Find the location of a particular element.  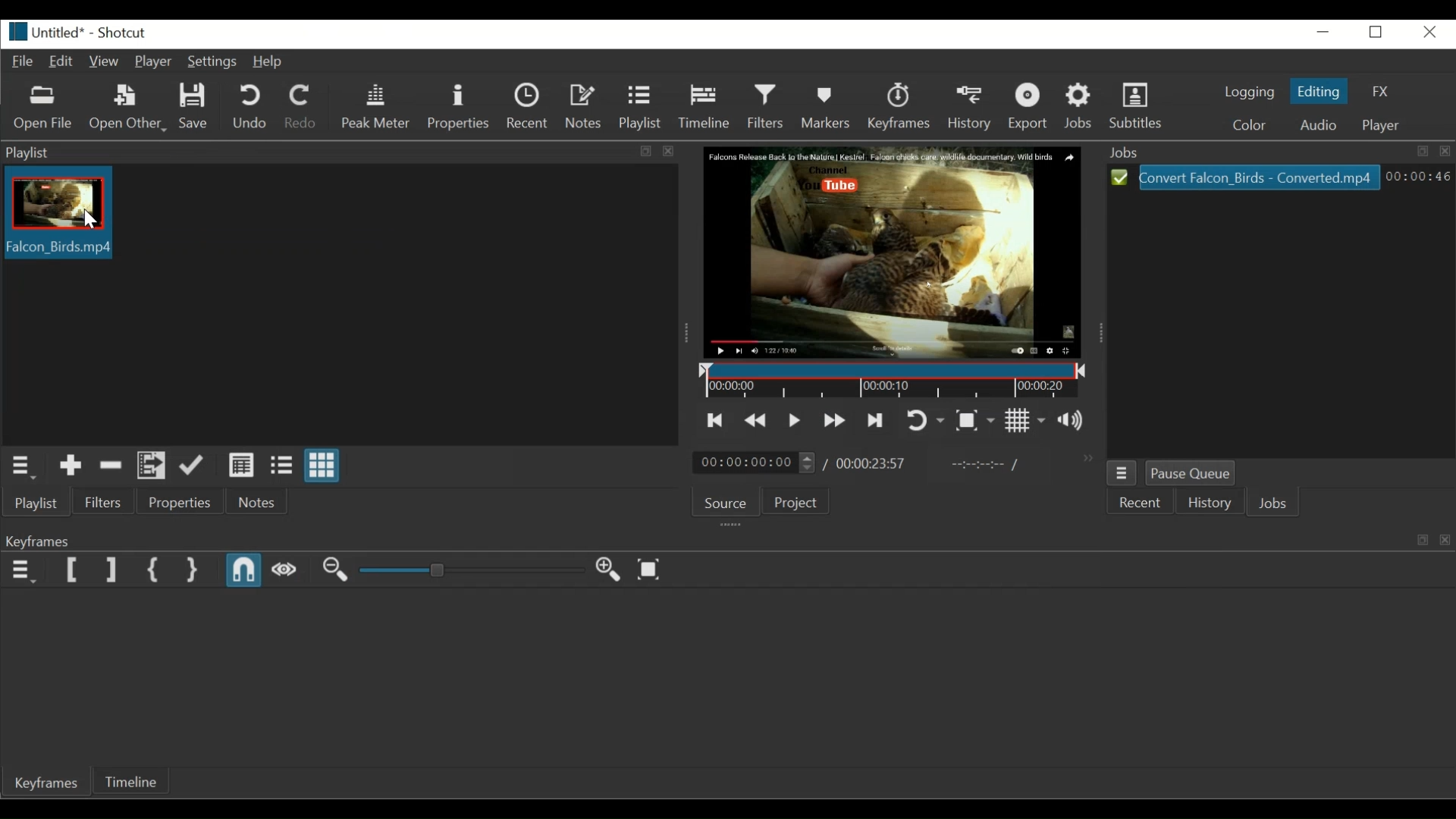

Help is located at coordinates (269, 62).